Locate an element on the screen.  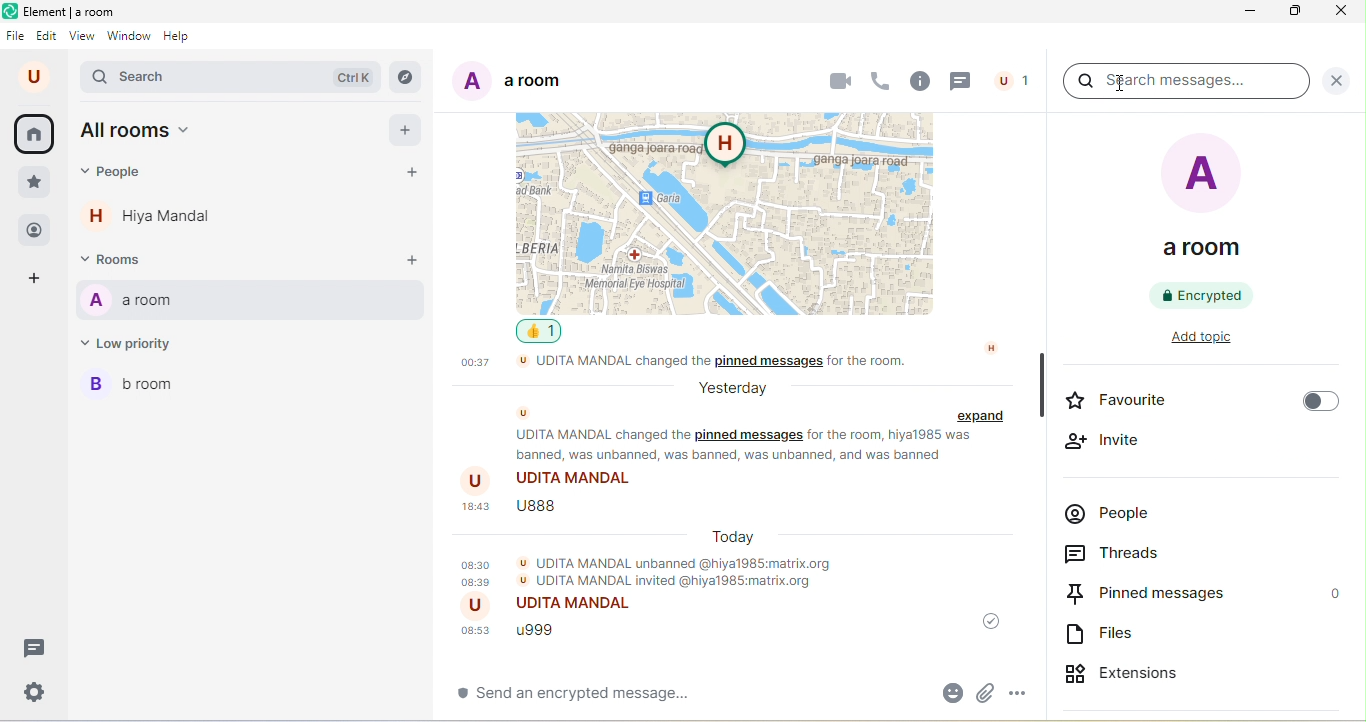
low priority is located at coordinates (136, 347).